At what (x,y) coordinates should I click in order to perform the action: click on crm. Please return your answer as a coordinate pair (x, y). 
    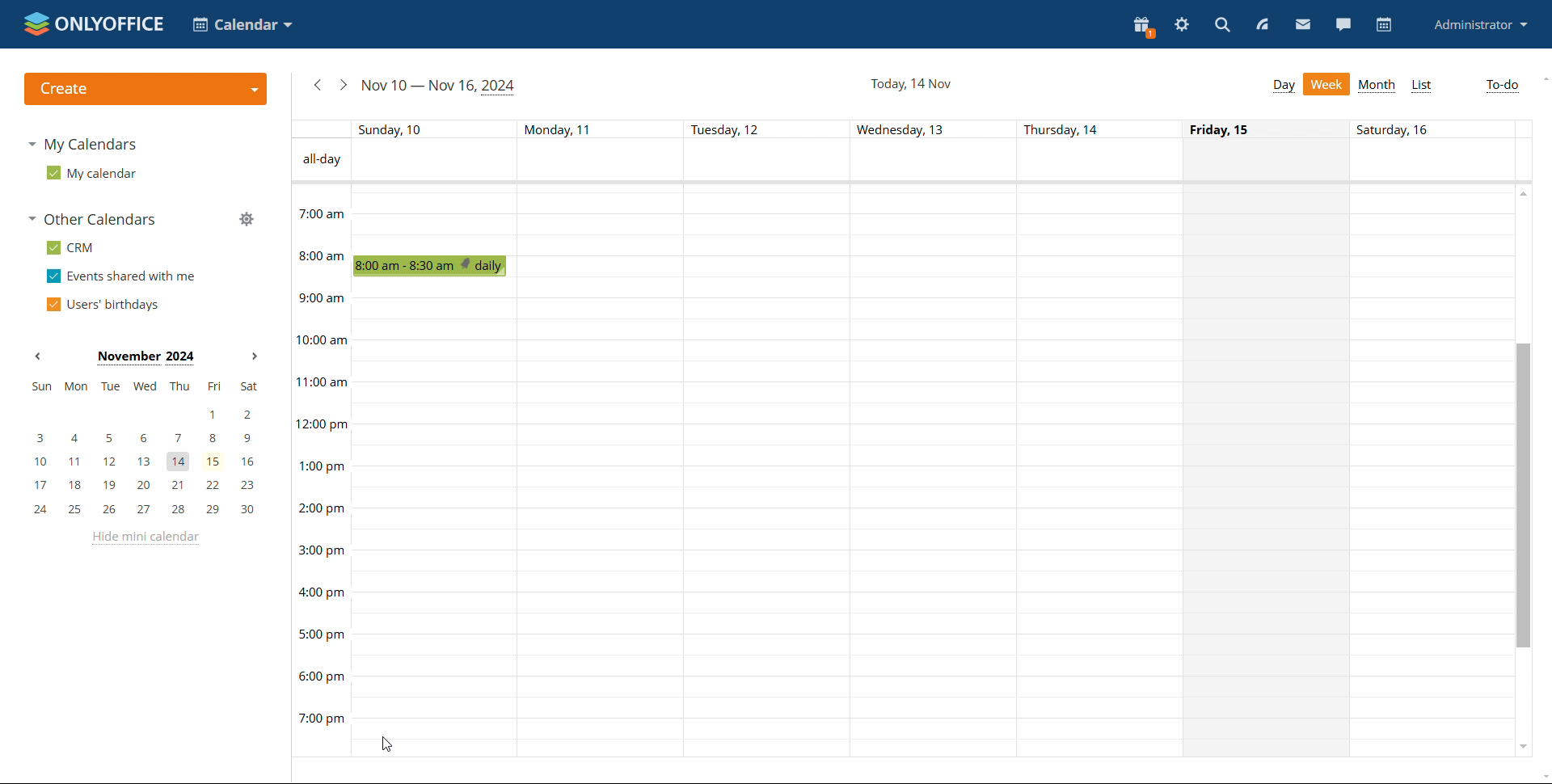
    Looking at the image, I should click on (70, 247).